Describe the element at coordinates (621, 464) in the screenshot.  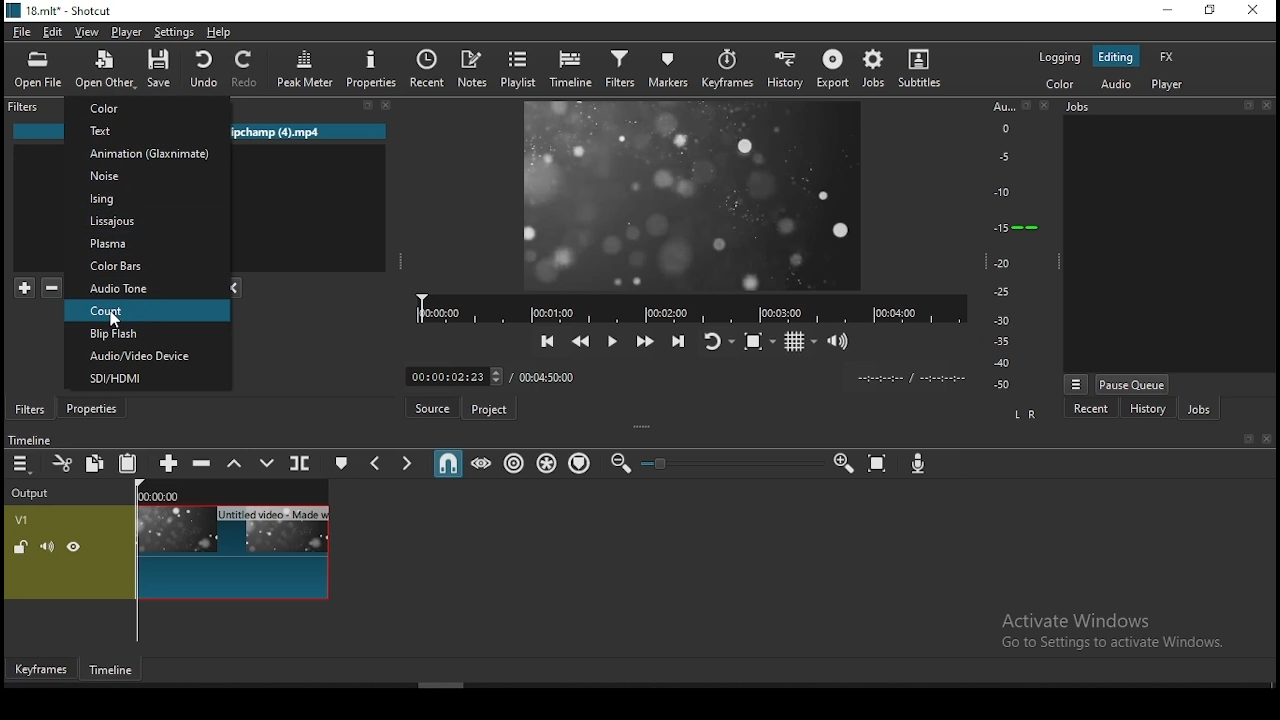
I see `zoom timeline out` at that location.